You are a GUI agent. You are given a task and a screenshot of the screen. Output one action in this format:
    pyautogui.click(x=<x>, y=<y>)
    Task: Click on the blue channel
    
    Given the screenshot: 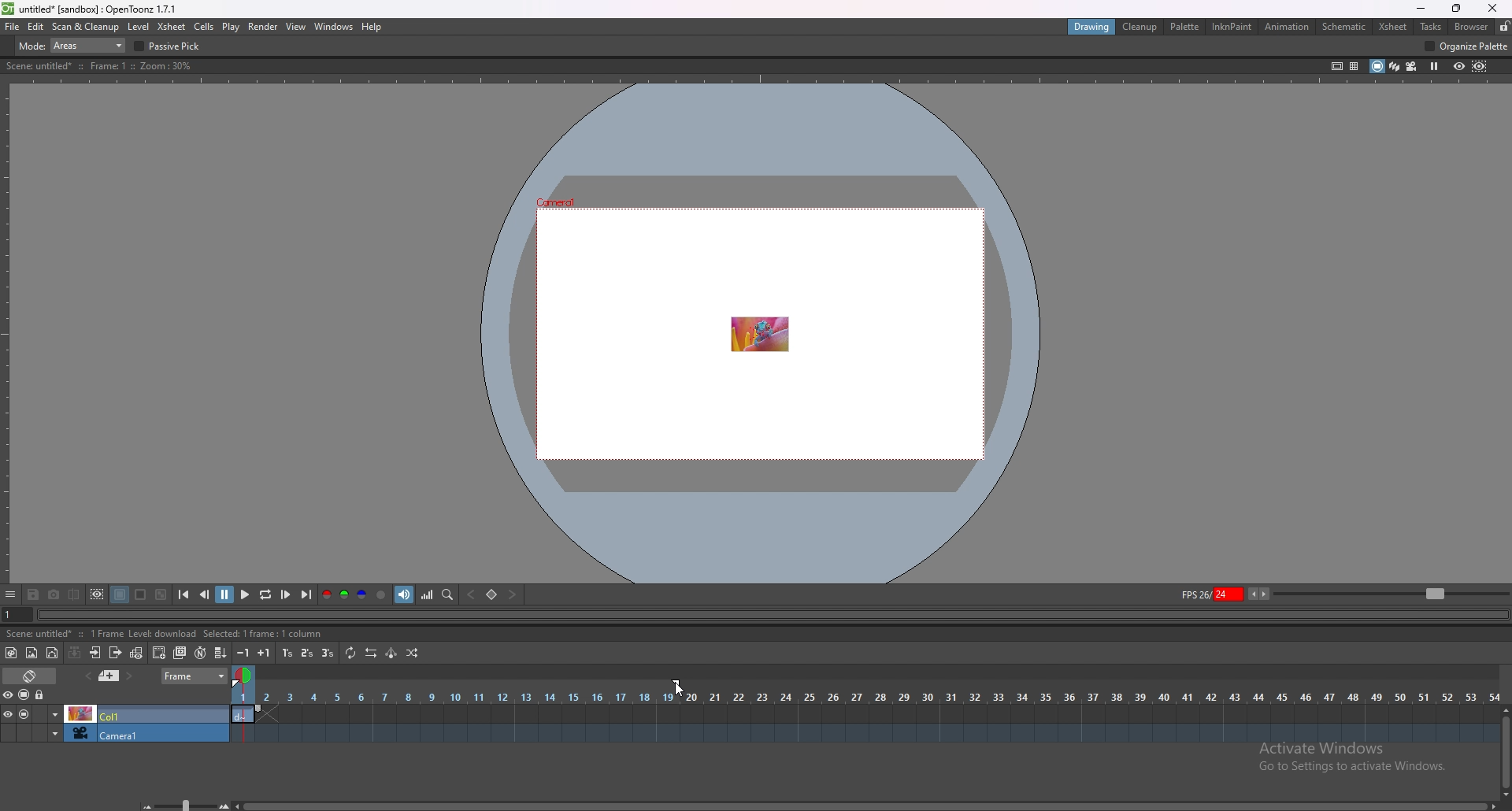 What is the action you would take?
    pyautogui.click(x=362, y=594)
    